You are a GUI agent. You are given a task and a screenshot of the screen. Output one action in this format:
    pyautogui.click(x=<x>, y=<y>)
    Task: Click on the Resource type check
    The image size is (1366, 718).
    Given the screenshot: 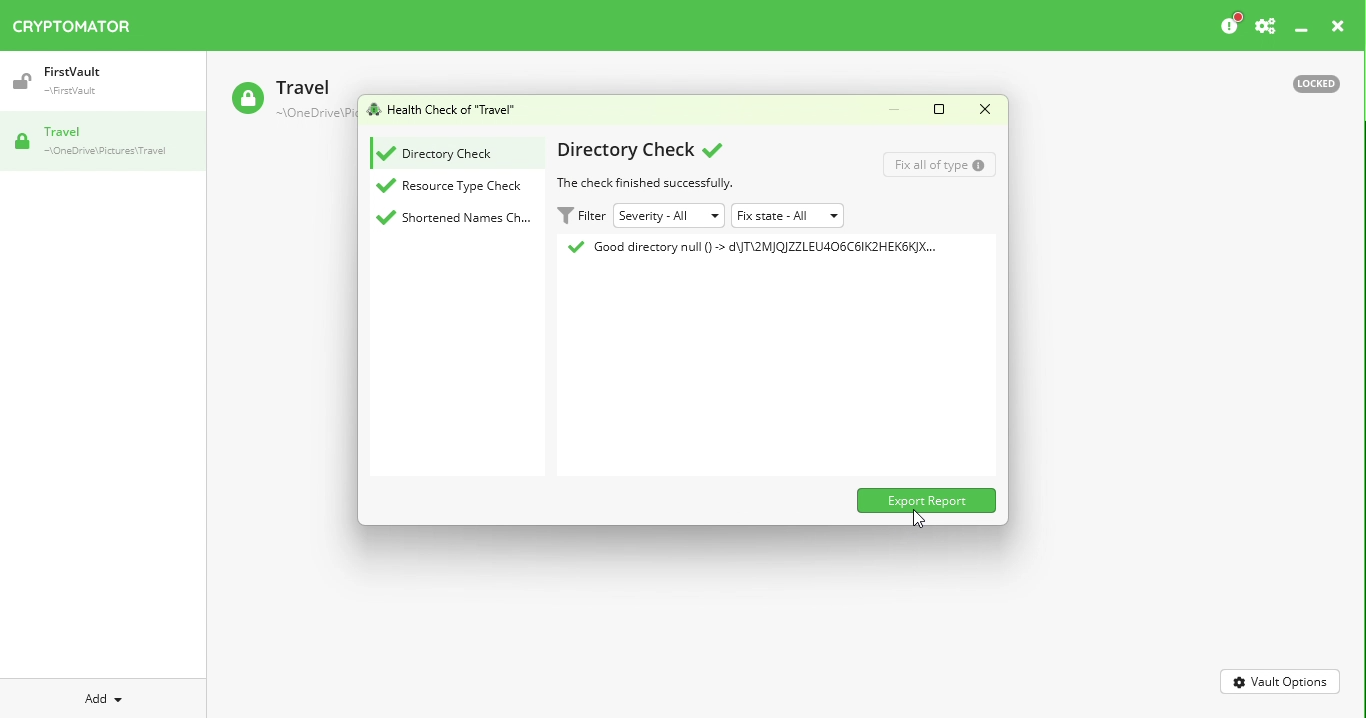 What is the action you would take?
    pyautogui.click(x=455, y=186)
    